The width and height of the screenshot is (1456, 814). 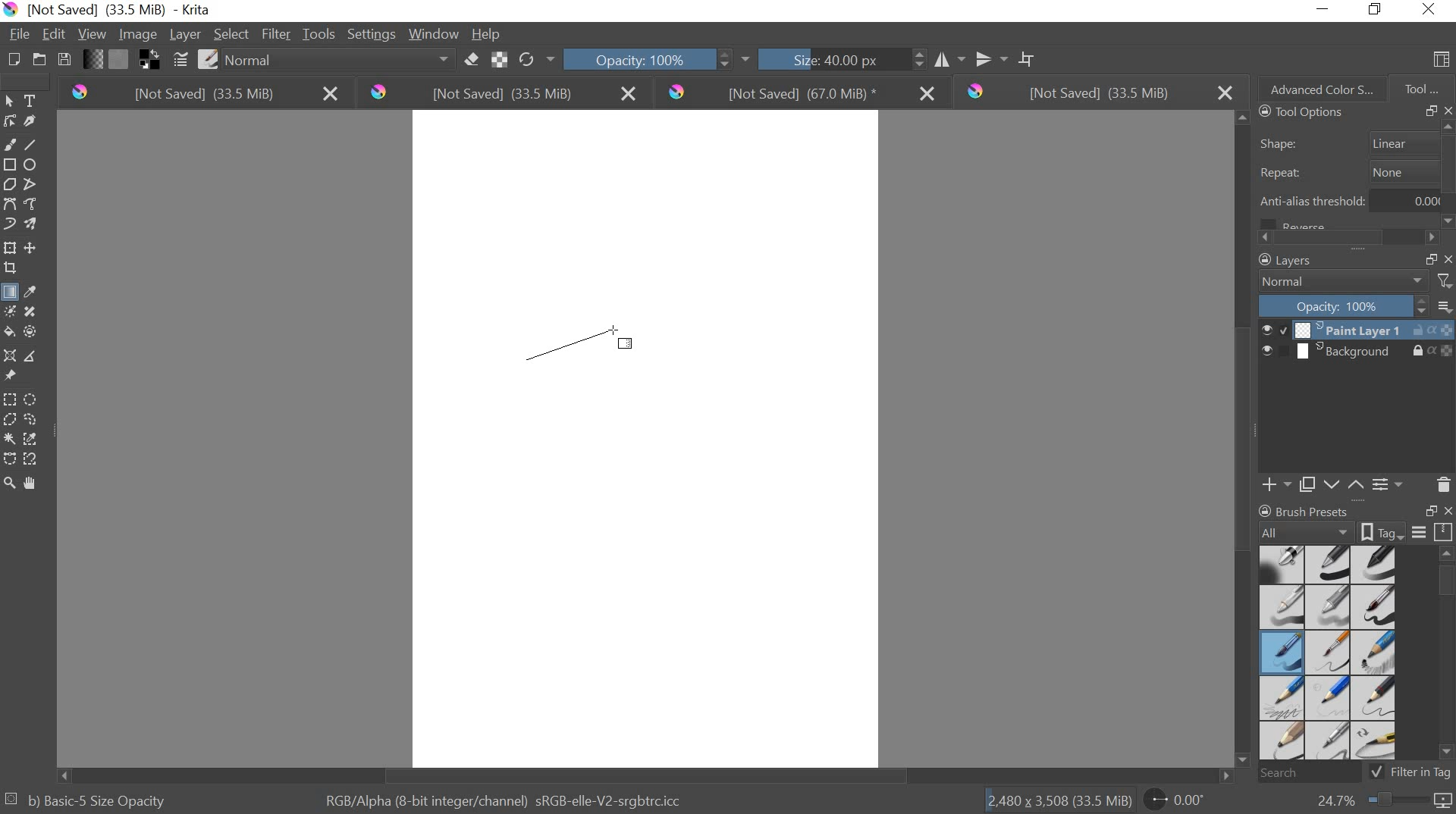 I want to click on PRESERVE ALPHA, so click(x=501, y=60).